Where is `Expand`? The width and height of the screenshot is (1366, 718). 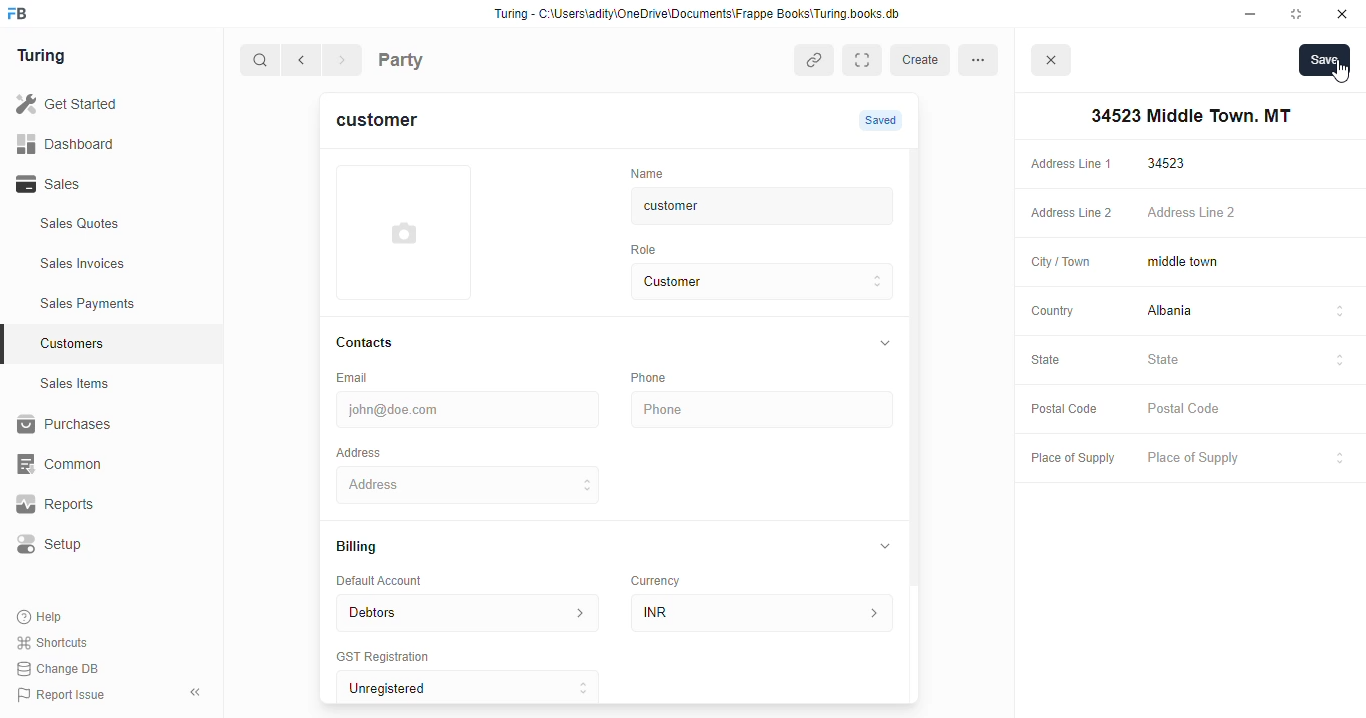 Expand is located at coordinates (866, 60).